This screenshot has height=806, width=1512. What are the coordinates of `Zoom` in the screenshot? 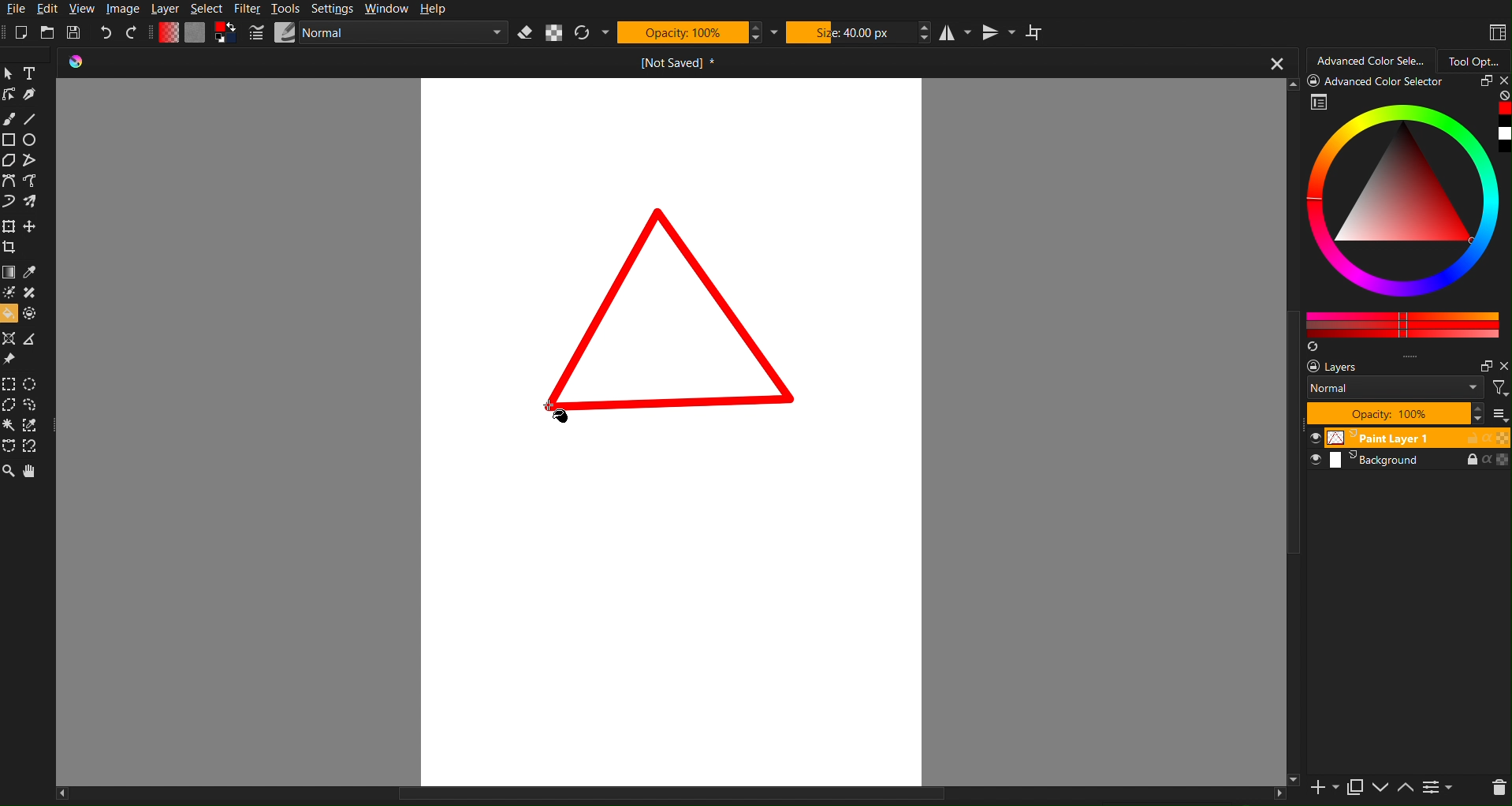 It's located at (9, 472).